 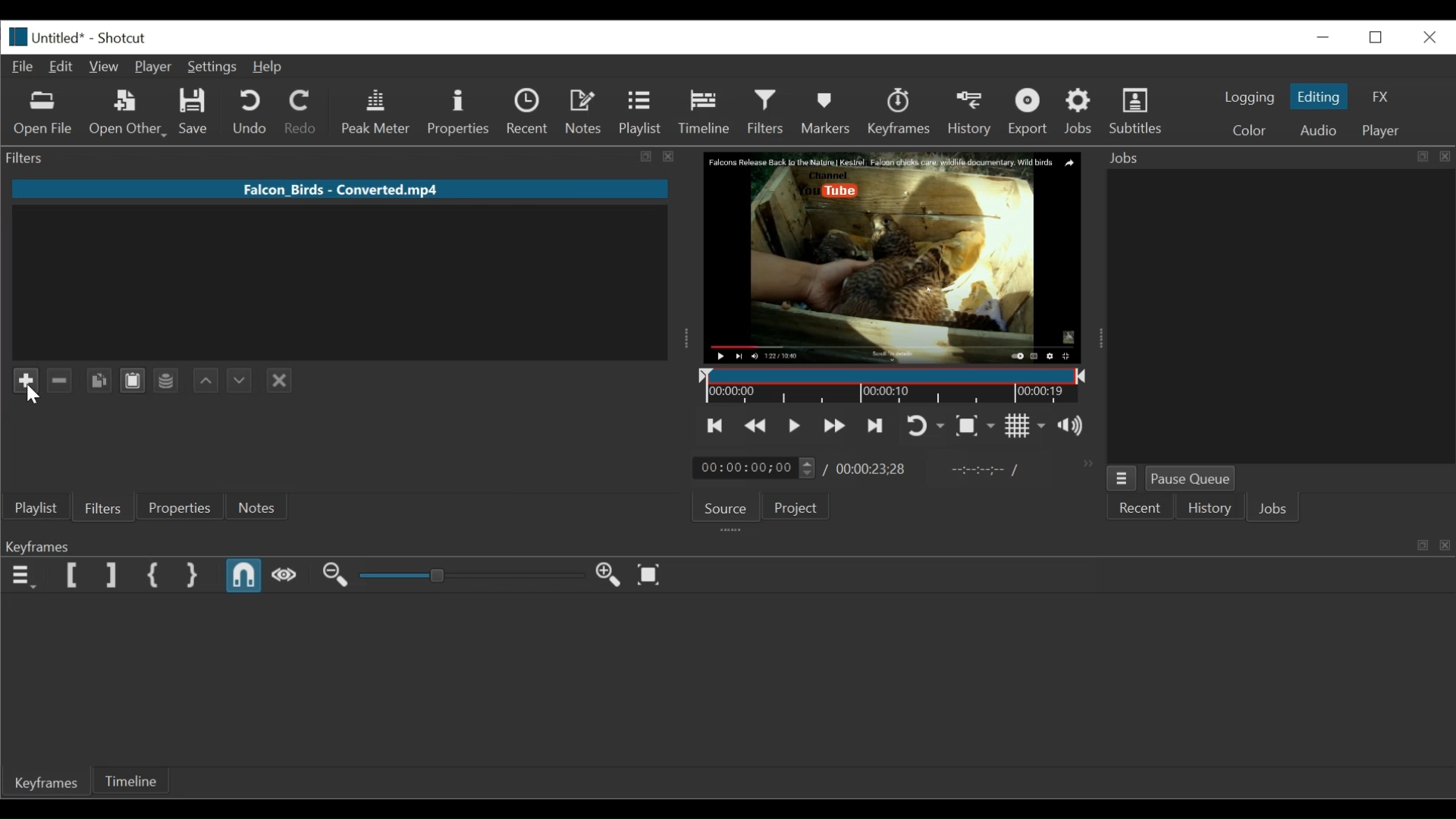 What do you see at coordinates (472, 576) in the screenshot?
I see `Zoom keyframe slider` at bounding box center [472, 576].